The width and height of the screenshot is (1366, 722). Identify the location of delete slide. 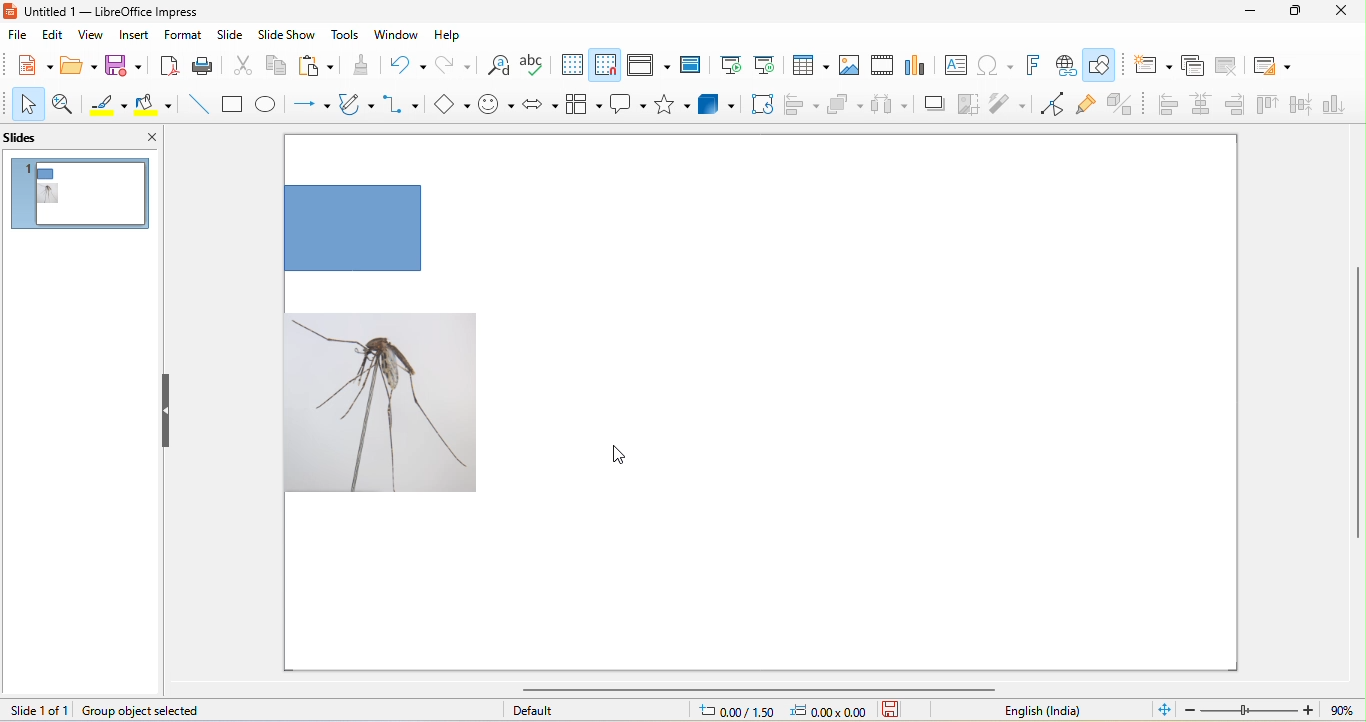
(1226, 66).